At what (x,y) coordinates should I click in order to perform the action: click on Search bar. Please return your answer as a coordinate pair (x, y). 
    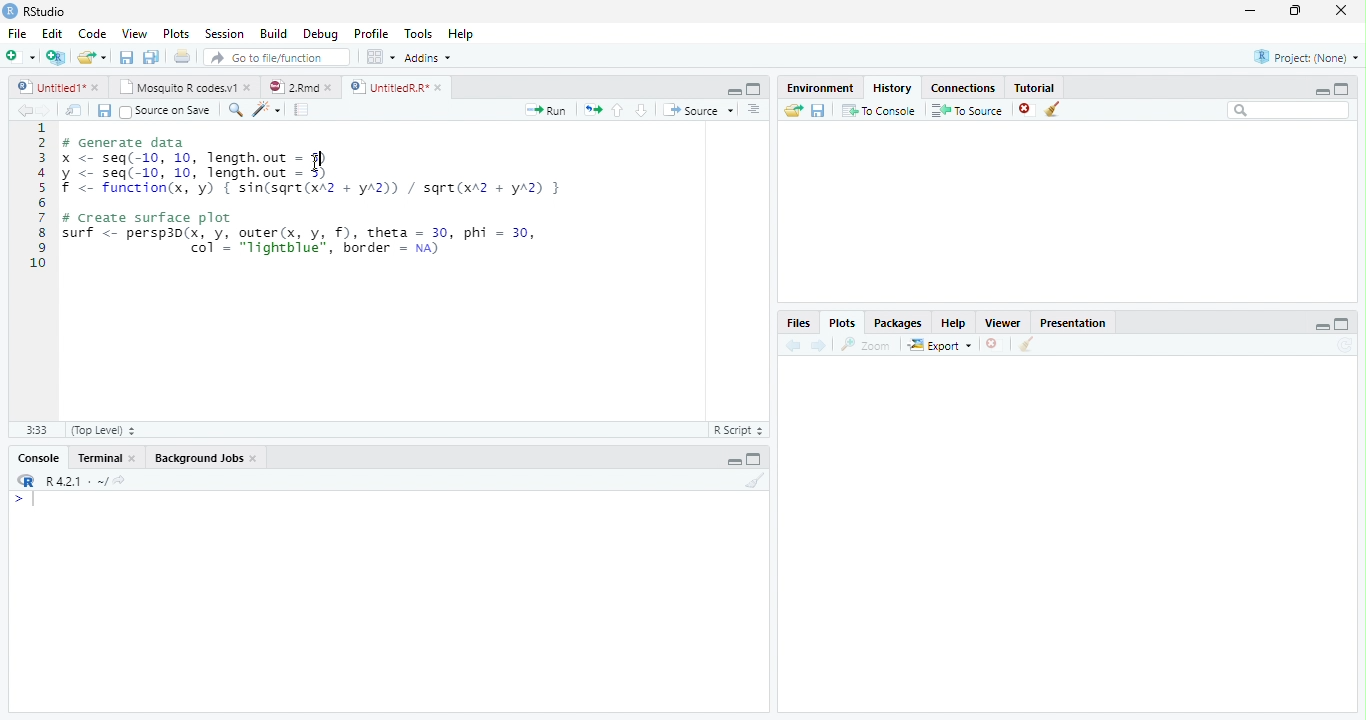
    Looking at the image, I should click on (1288, 110).